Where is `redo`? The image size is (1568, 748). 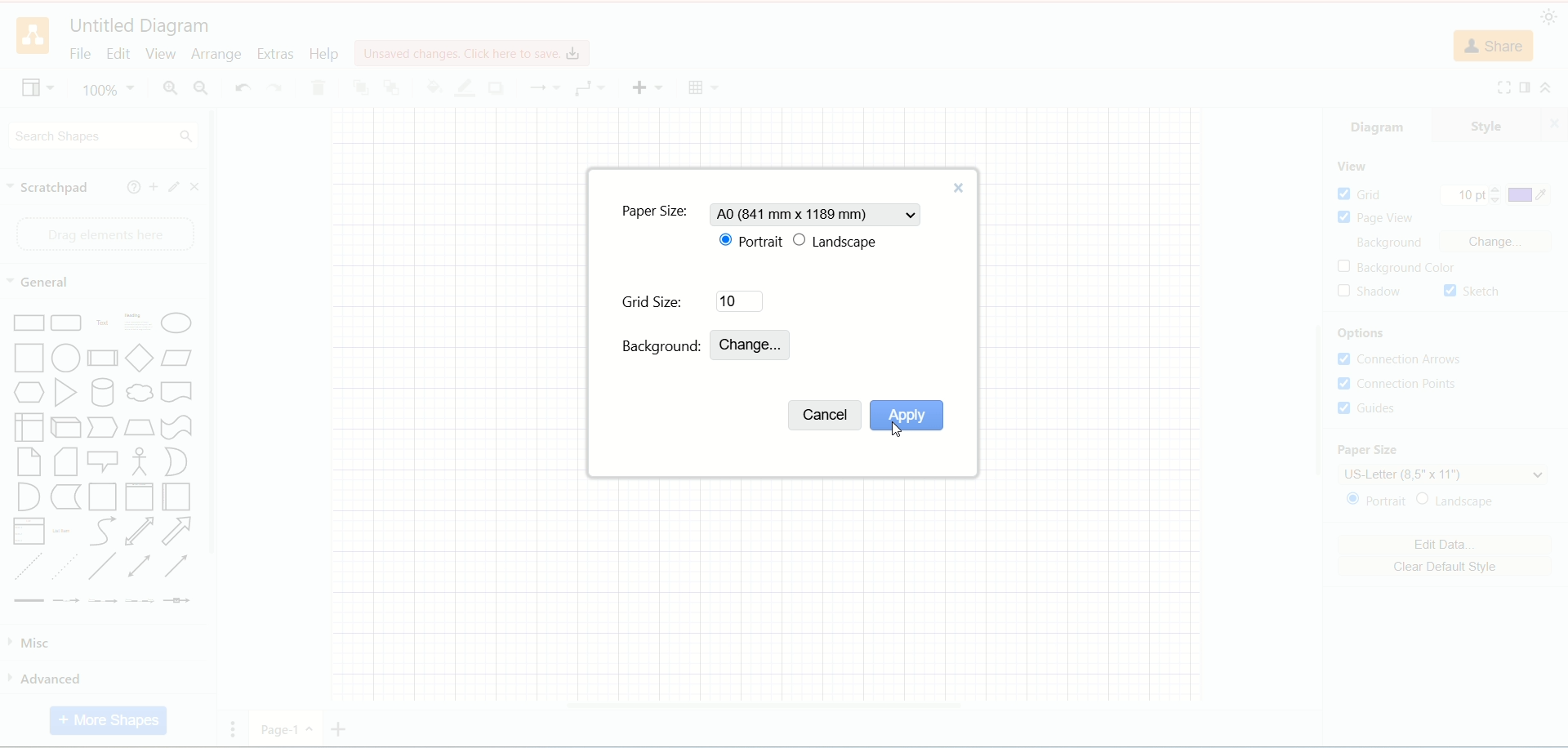
redo is located at coordinates (274, 89).